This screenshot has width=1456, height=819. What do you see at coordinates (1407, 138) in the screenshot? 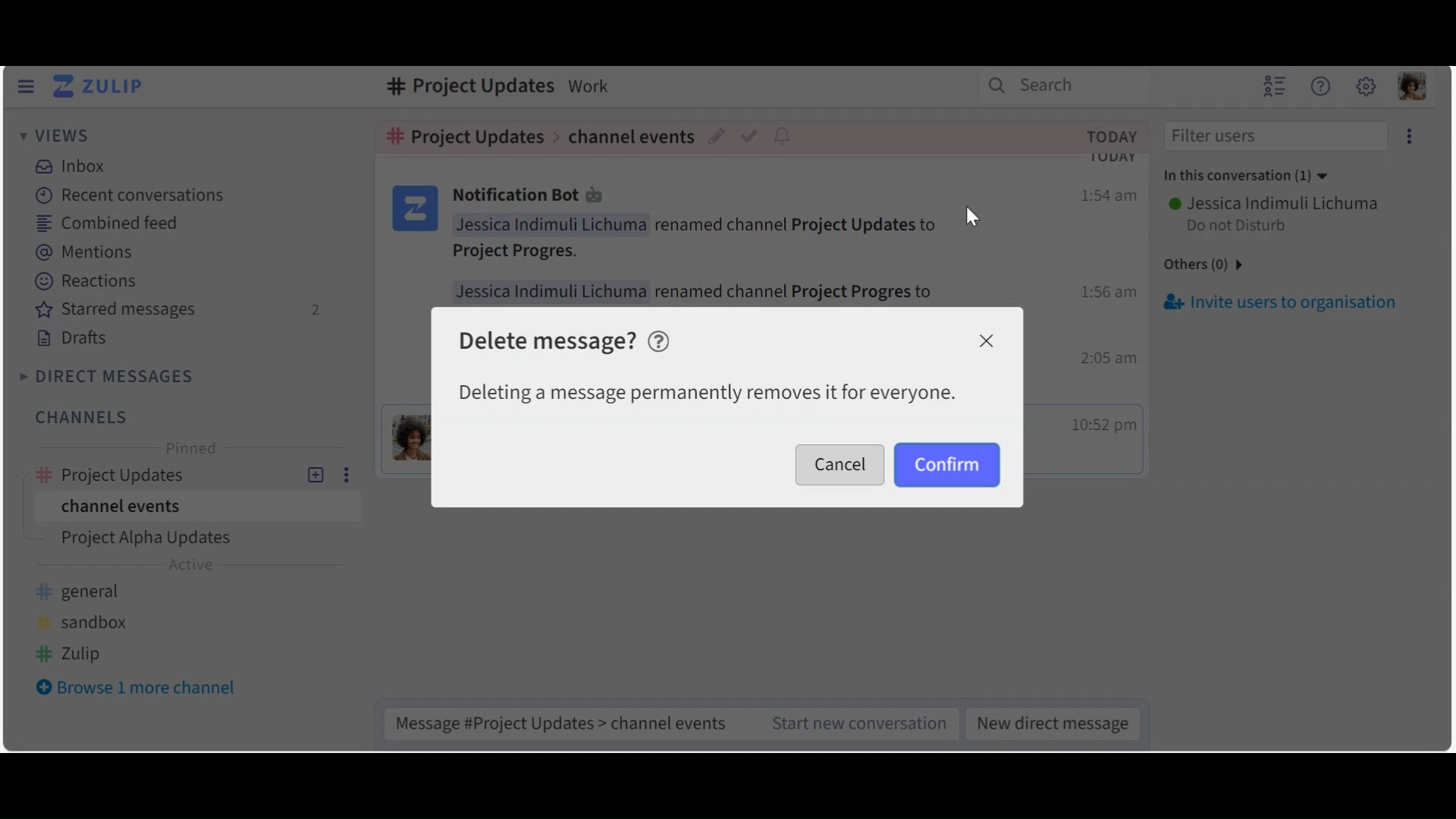
I see `Invite user to organisation` at bounding box center [1407, 138].